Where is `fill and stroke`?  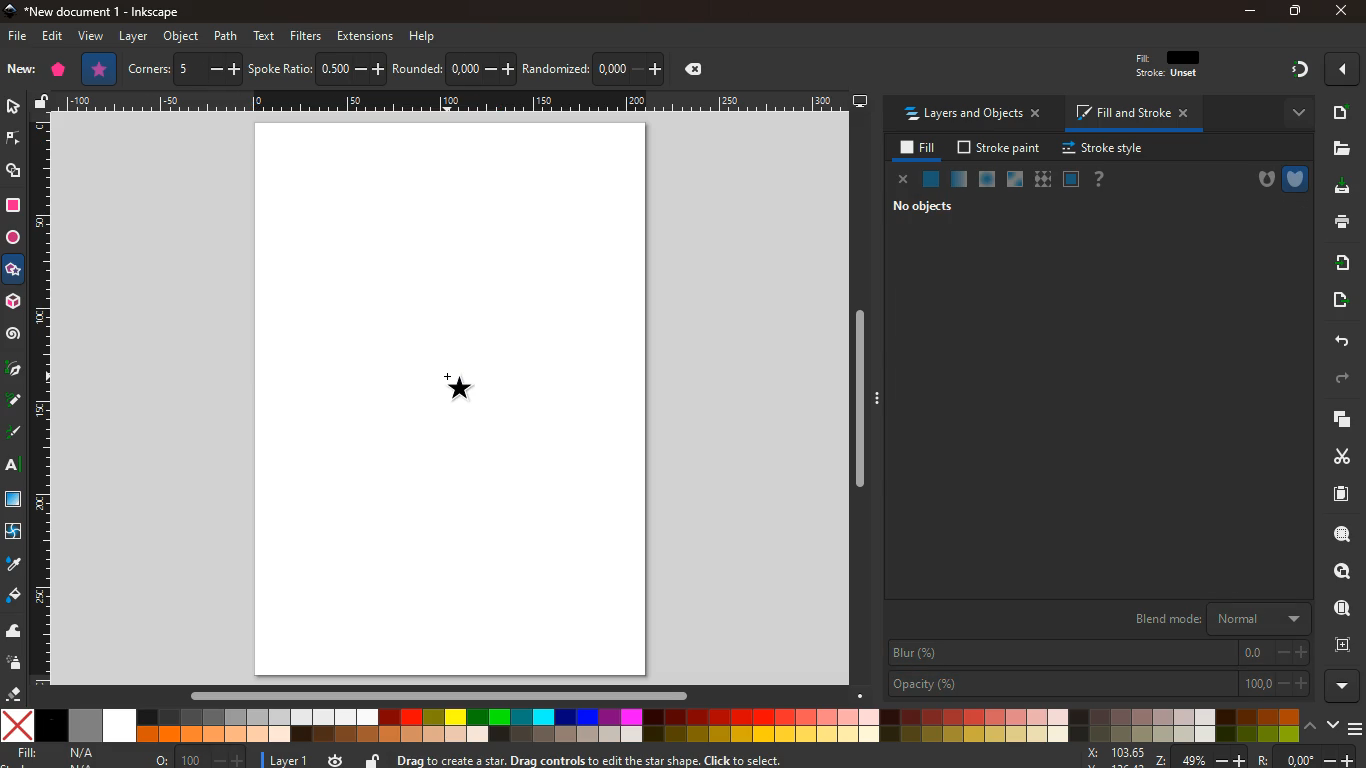
fill and stroke is located at coordinates (1128, 115).